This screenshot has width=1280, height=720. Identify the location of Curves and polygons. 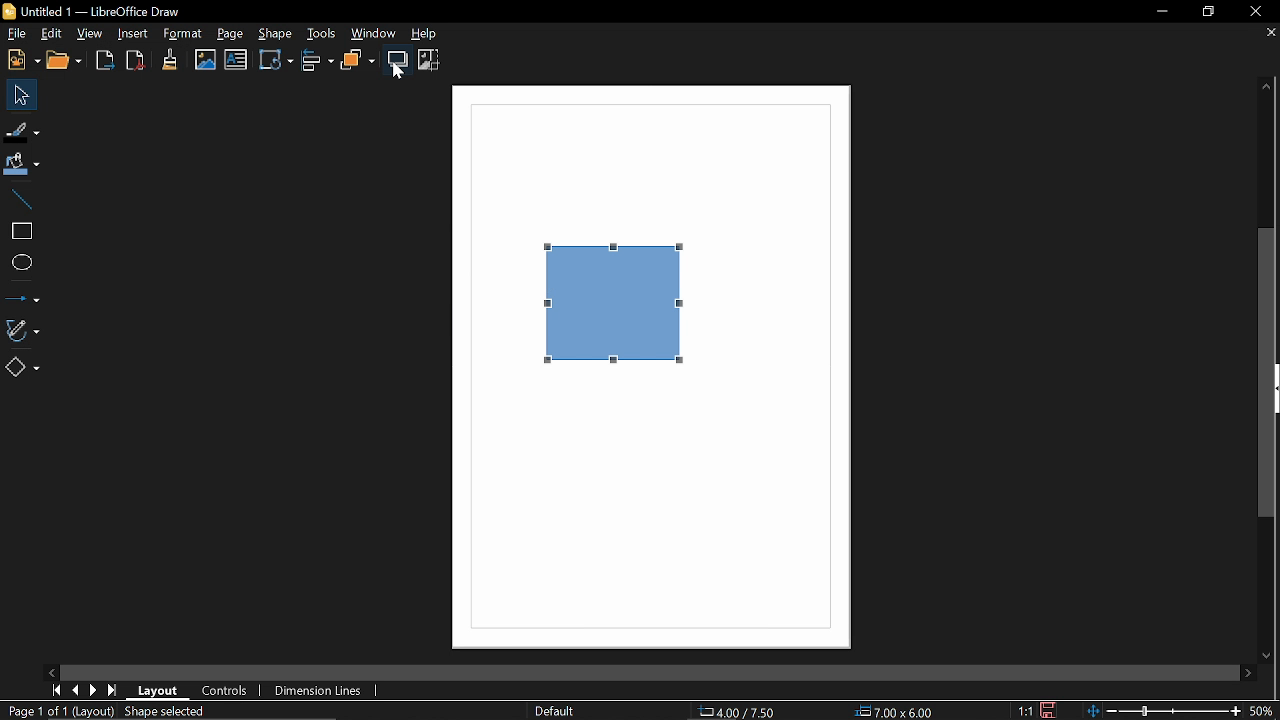
(26, 329).